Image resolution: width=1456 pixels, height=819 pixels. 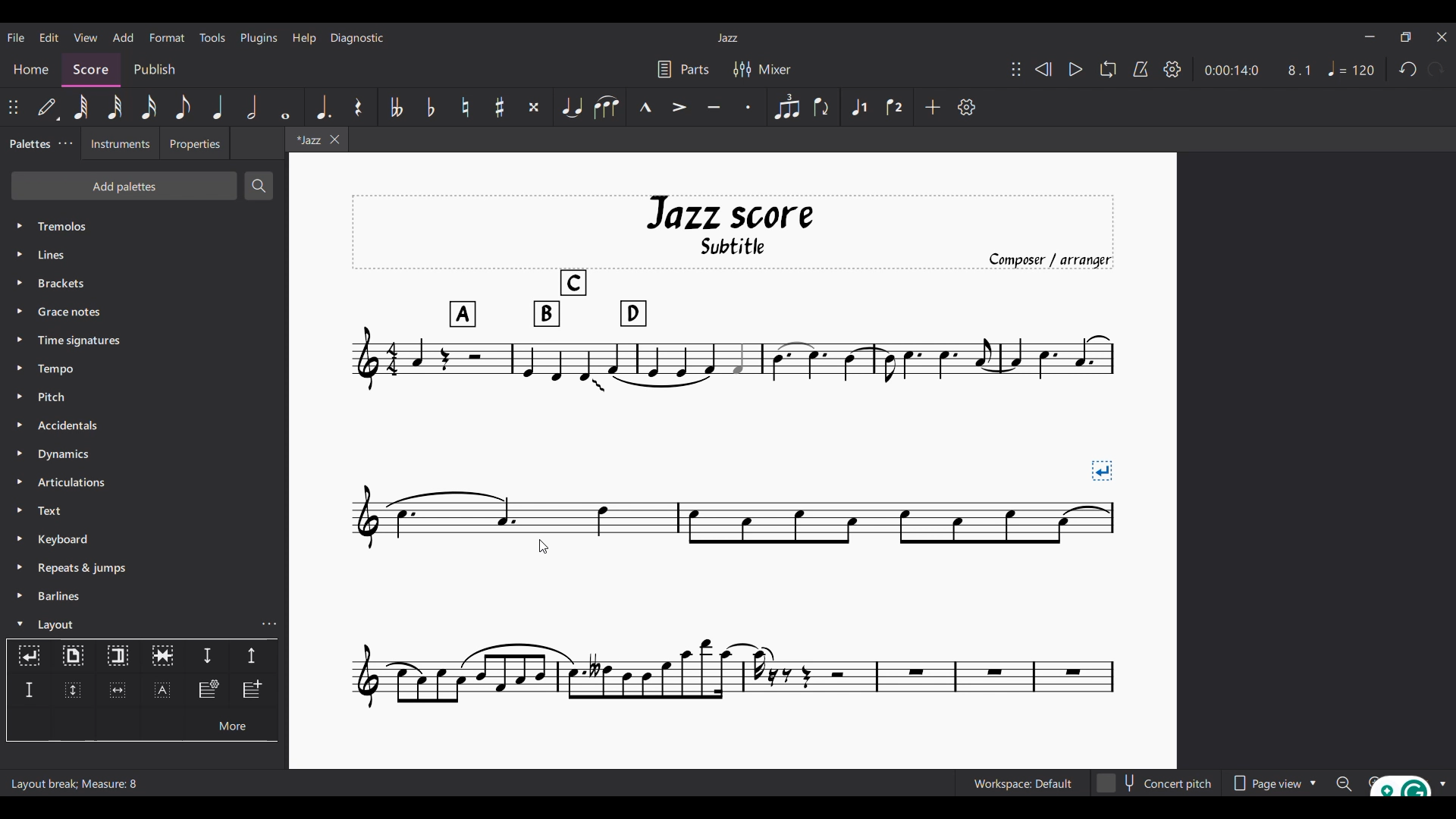 What do you see at coordinates (571, 107) in the screenshot?
I see `Tie` at bounding box center [571, 107].